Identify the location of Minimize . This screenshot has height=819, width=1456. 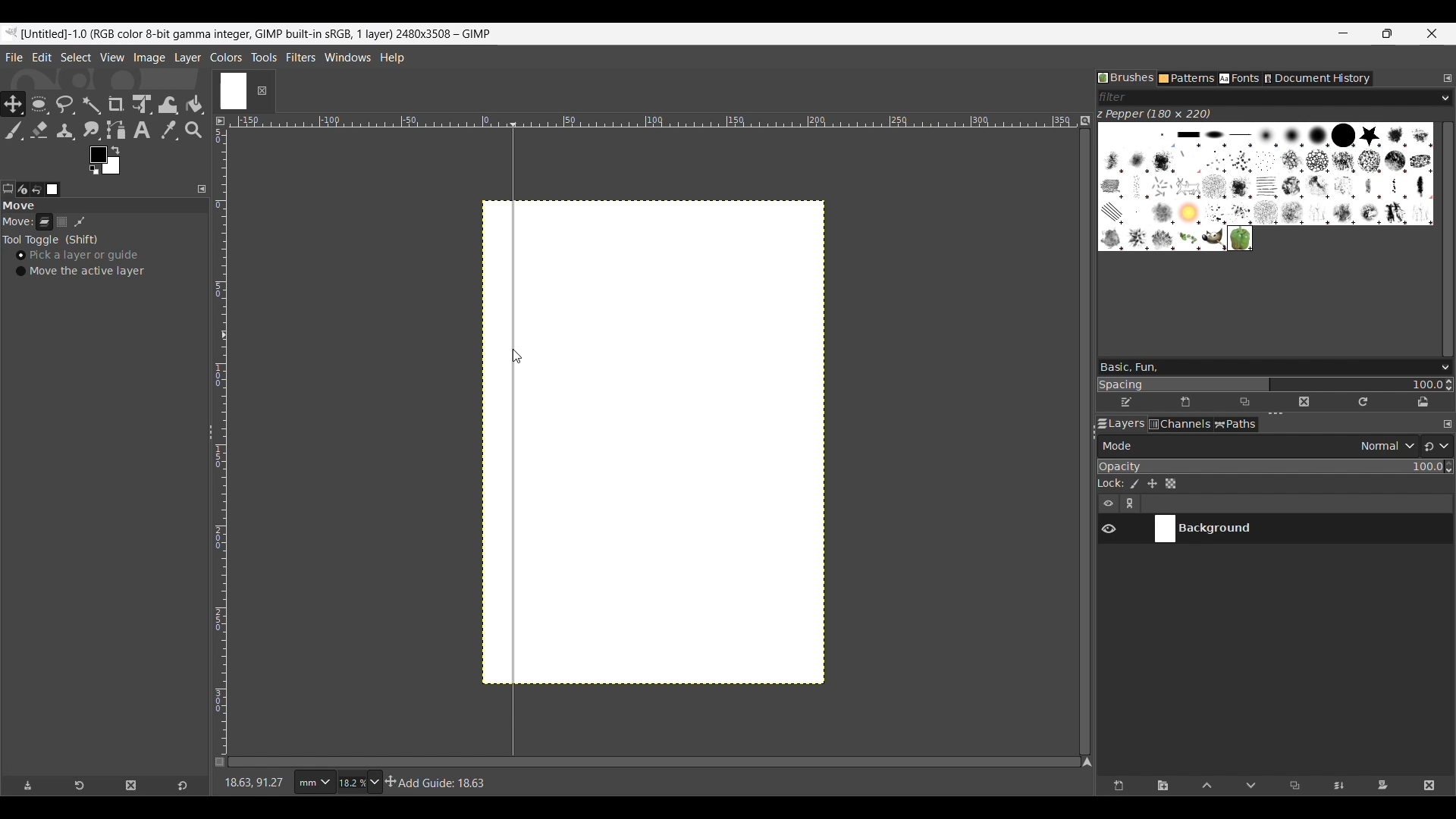
(1344, 33).